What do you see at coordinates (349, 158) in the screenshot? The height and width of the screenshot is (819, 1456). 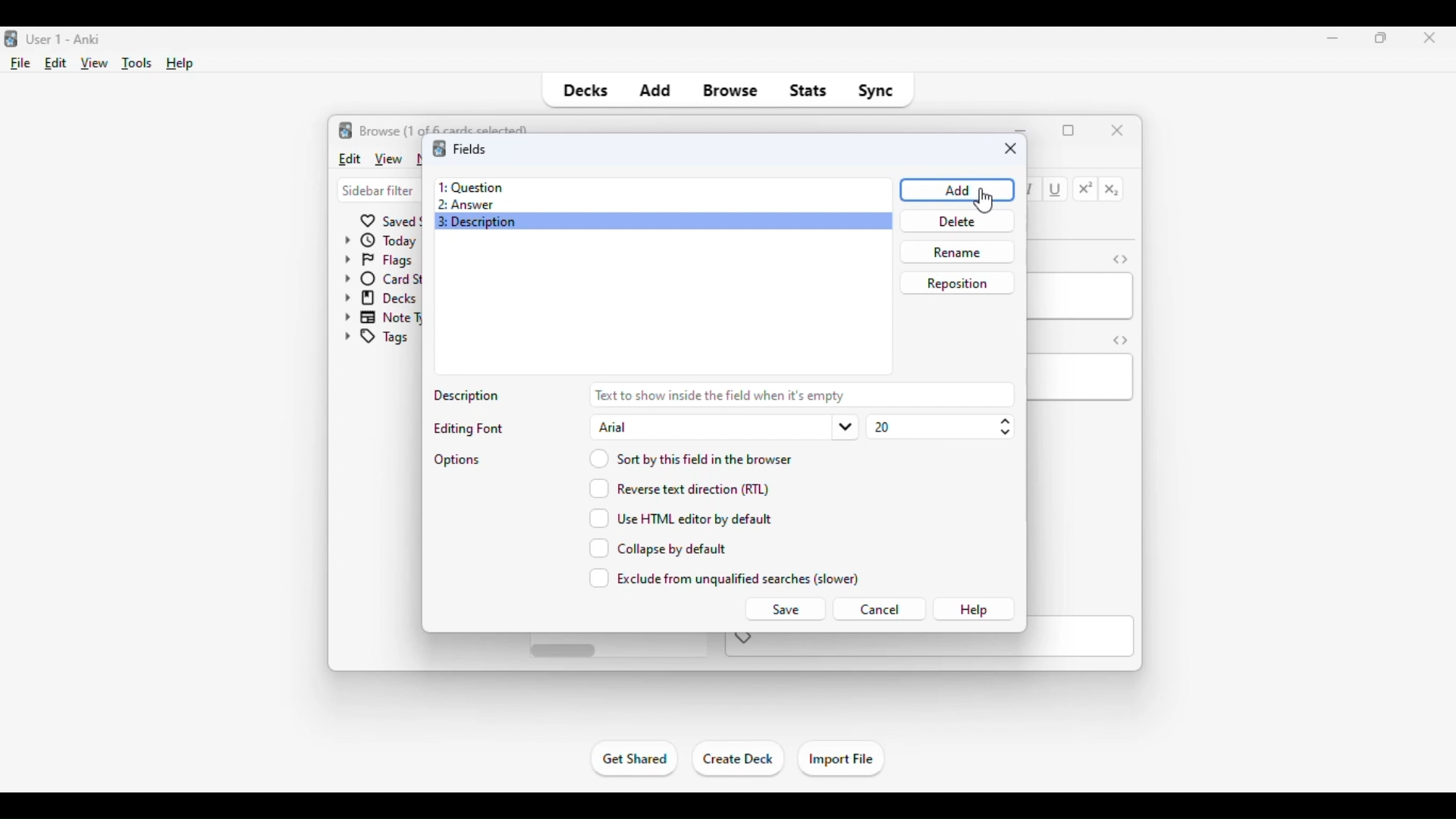 I see `edit` at bounding box center [349, 158].